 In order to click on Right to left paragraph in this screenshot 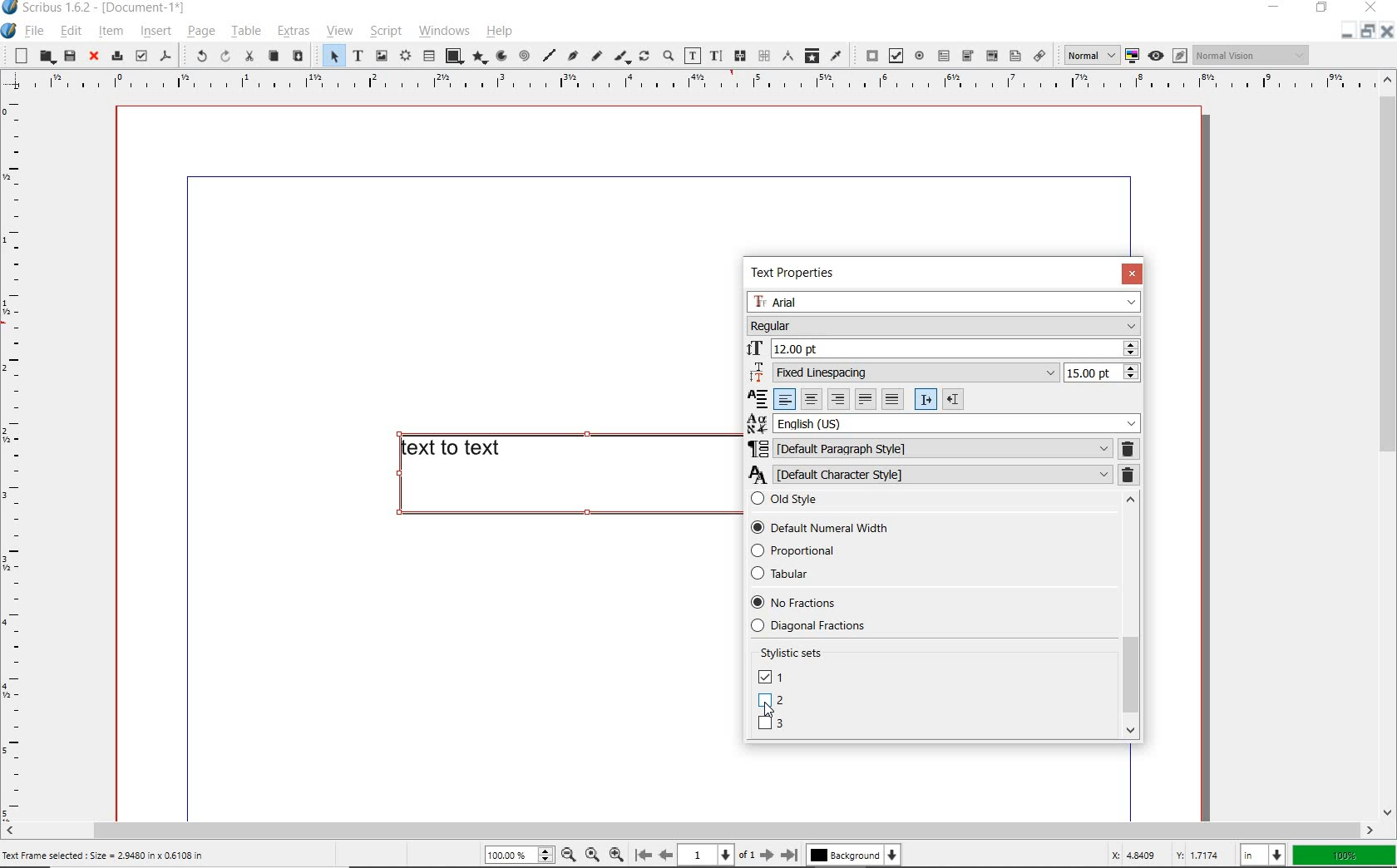, I will do `click(954, 398)`.